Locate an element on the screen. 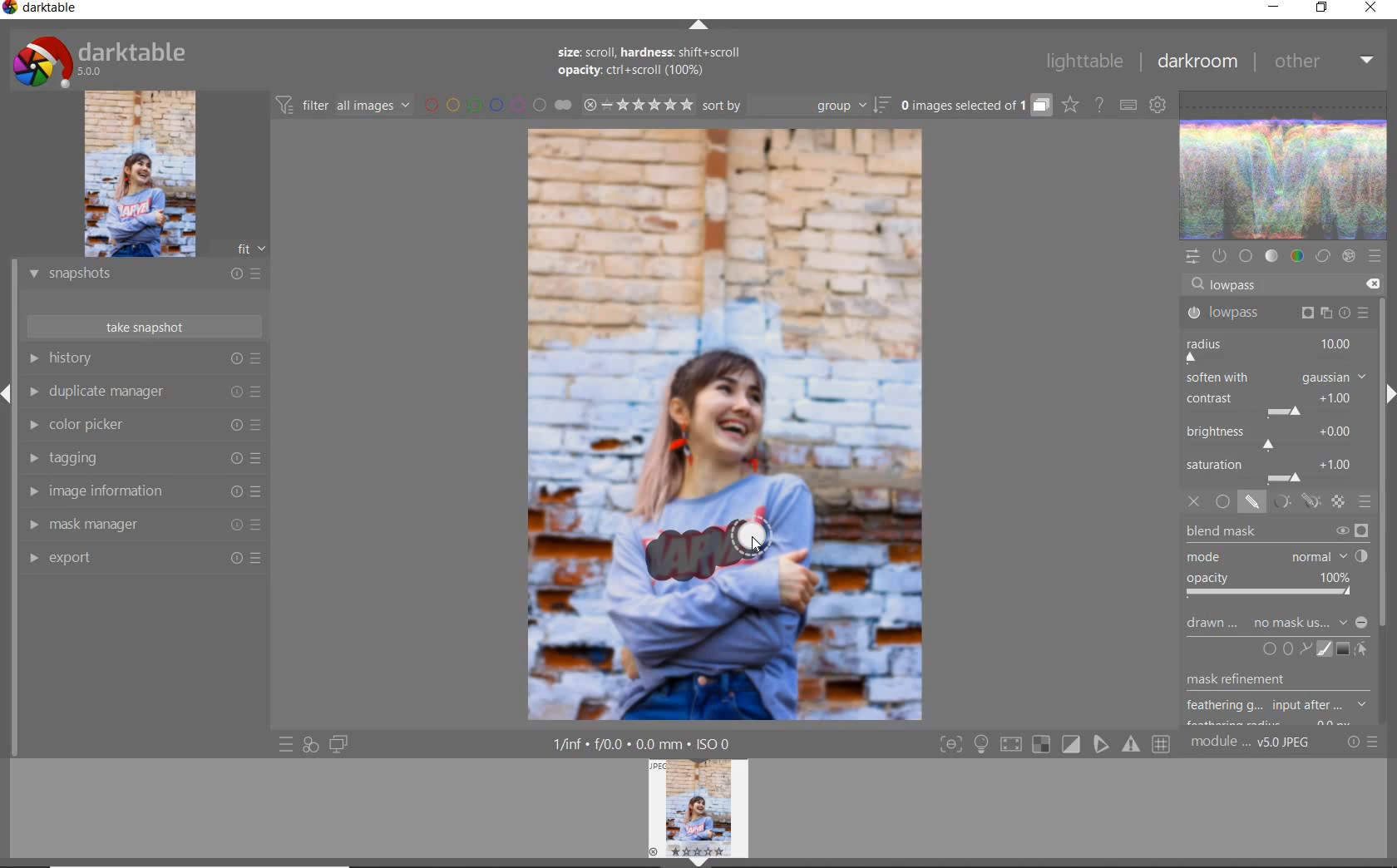  radius is located at coordinates (1271, 348).